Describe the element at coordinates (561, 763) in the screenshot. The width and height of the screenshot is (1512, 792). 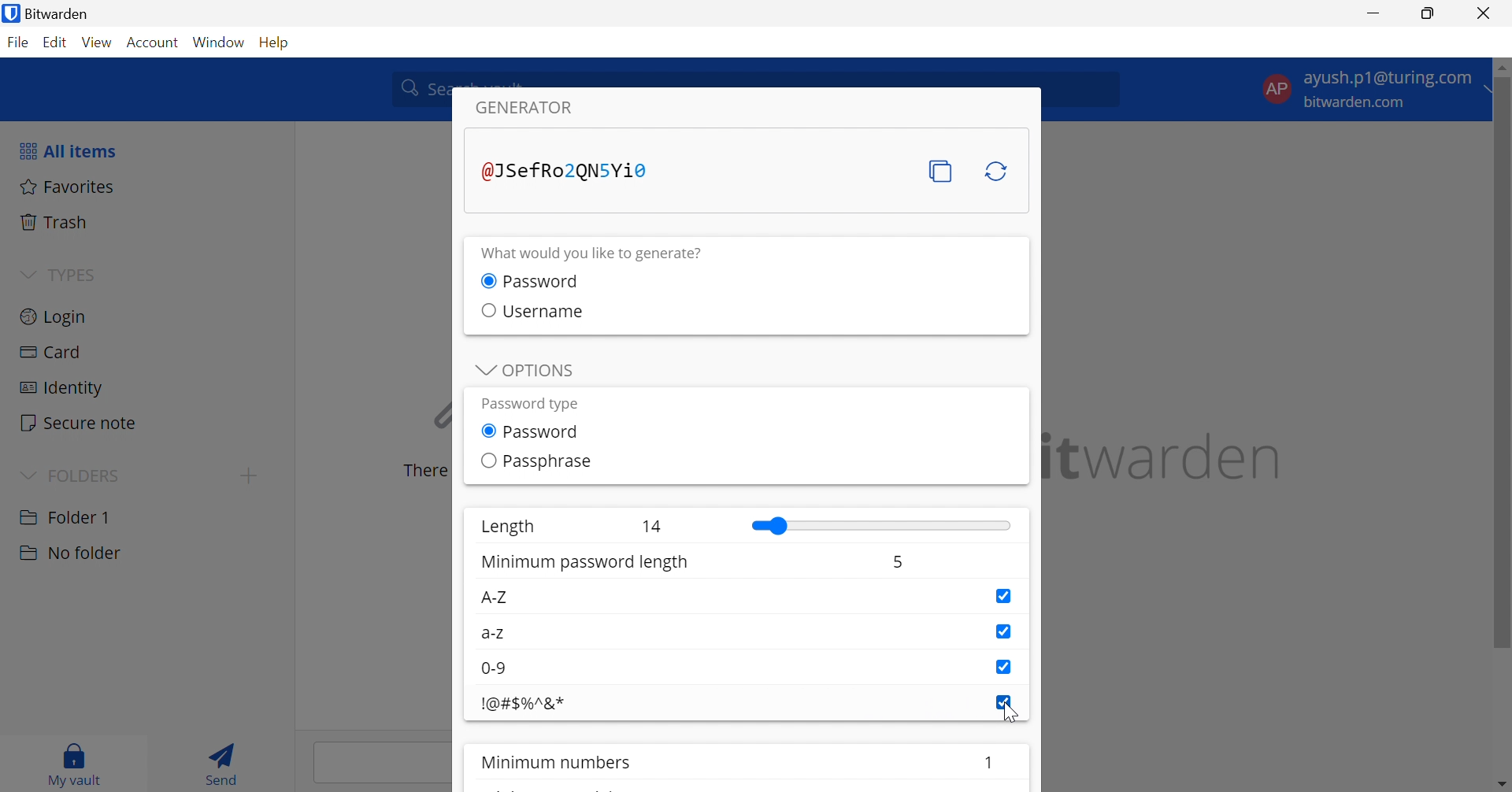
I see `Minimum numbers` at that location.